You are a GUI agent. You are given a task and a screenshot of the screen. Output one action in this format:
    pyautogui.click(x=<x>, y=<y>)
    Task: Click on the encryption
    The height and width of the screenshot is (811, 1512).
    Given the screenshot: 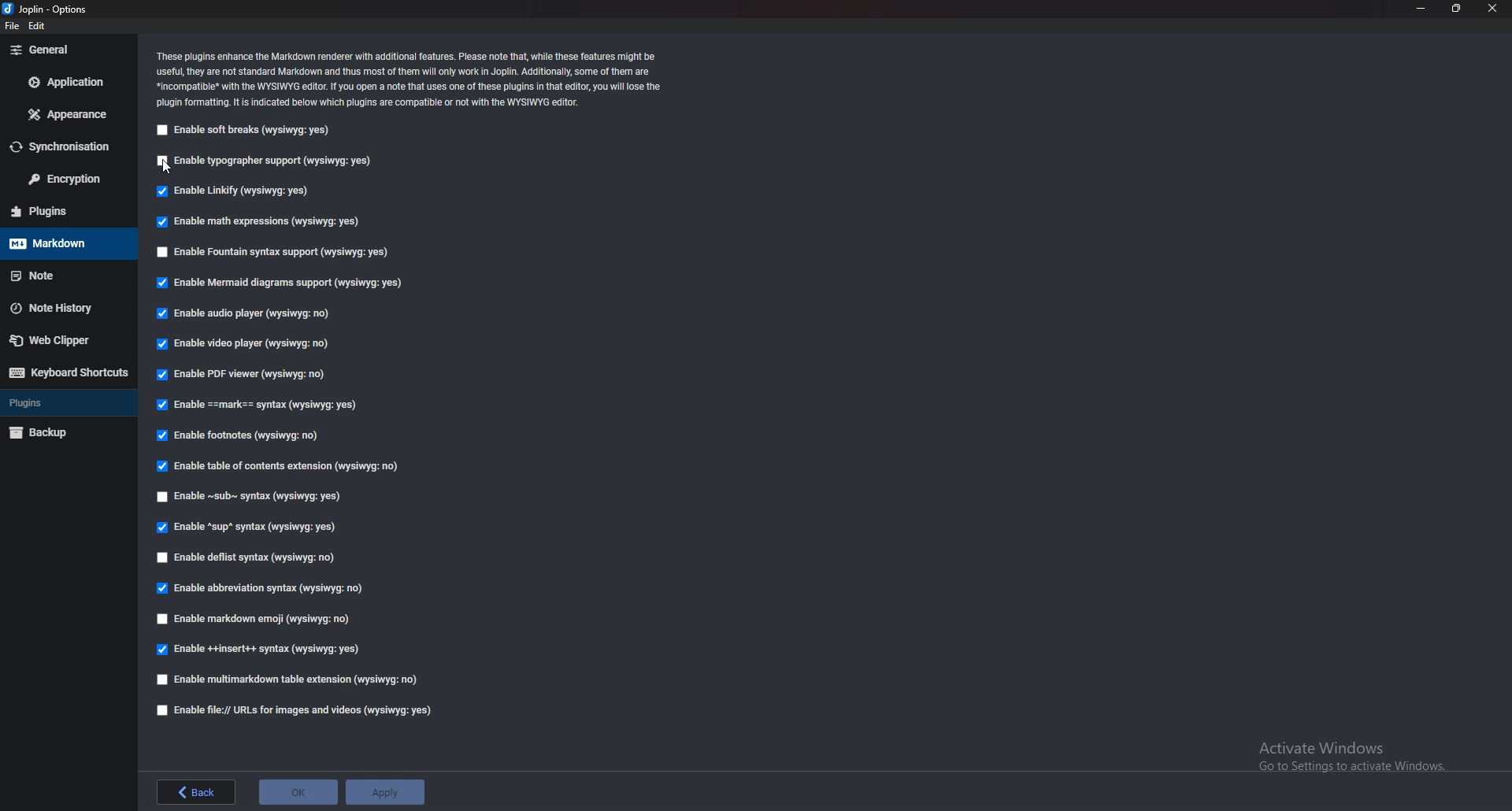 What is the action you would take?
    pyautogui.click(x=70, y=178)
    